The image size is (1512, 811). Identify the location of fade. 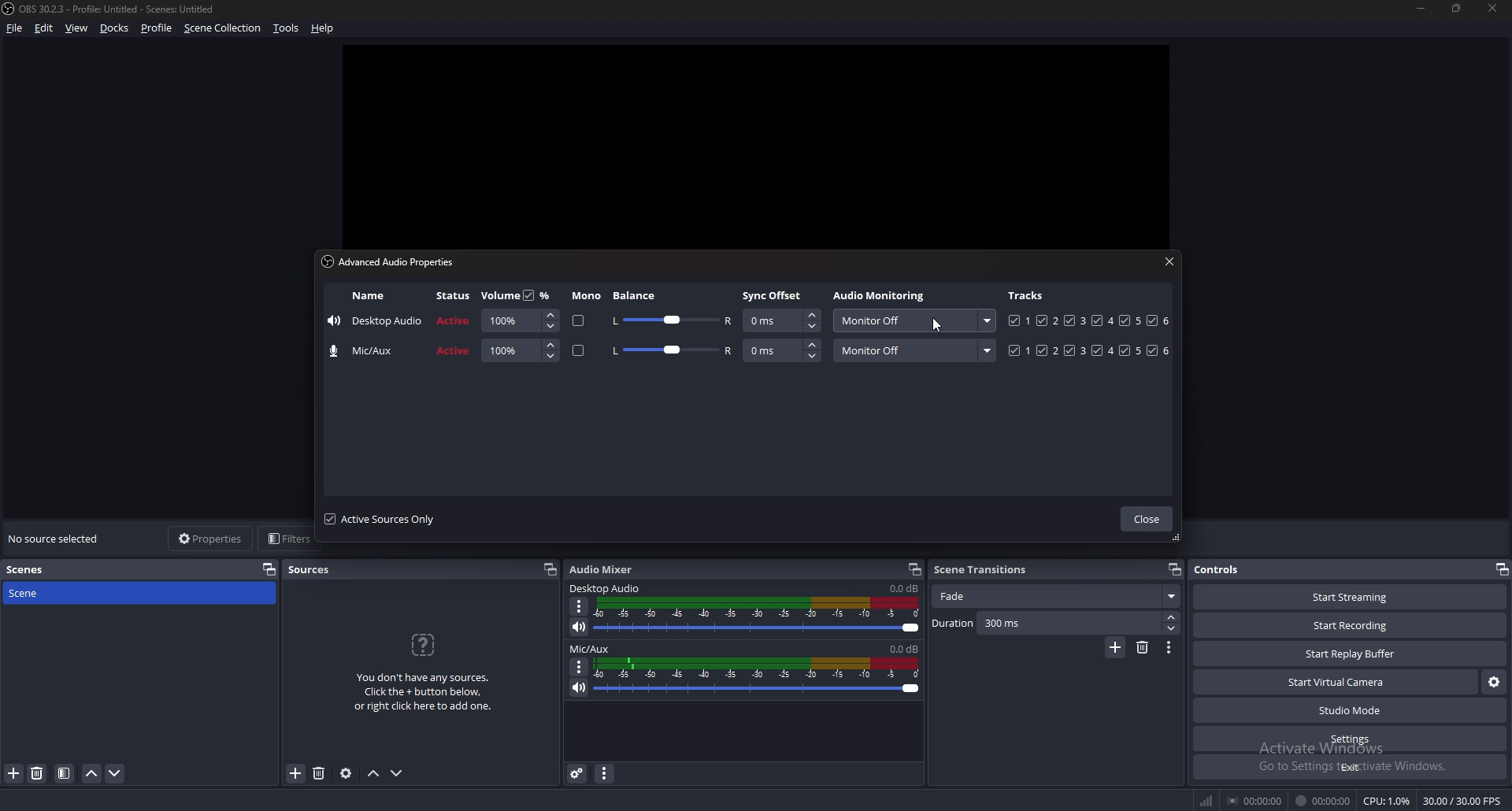
(1057, 596).